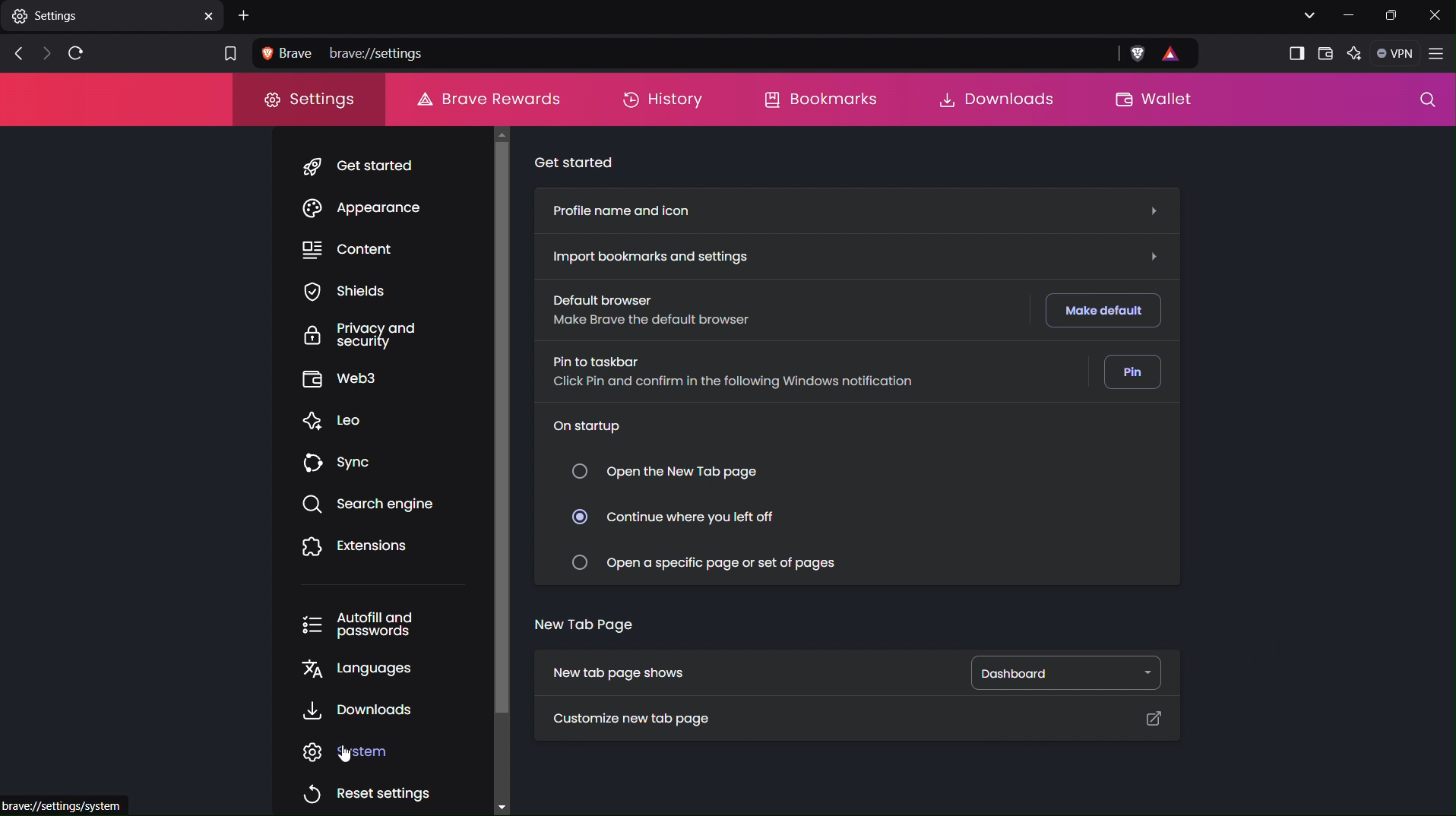 The height and width of the screenshot is (816, 1456). What do you see at coordinates (353, 712) in the screenshot?
I see `Downloads` at bounding box center [353, 712].